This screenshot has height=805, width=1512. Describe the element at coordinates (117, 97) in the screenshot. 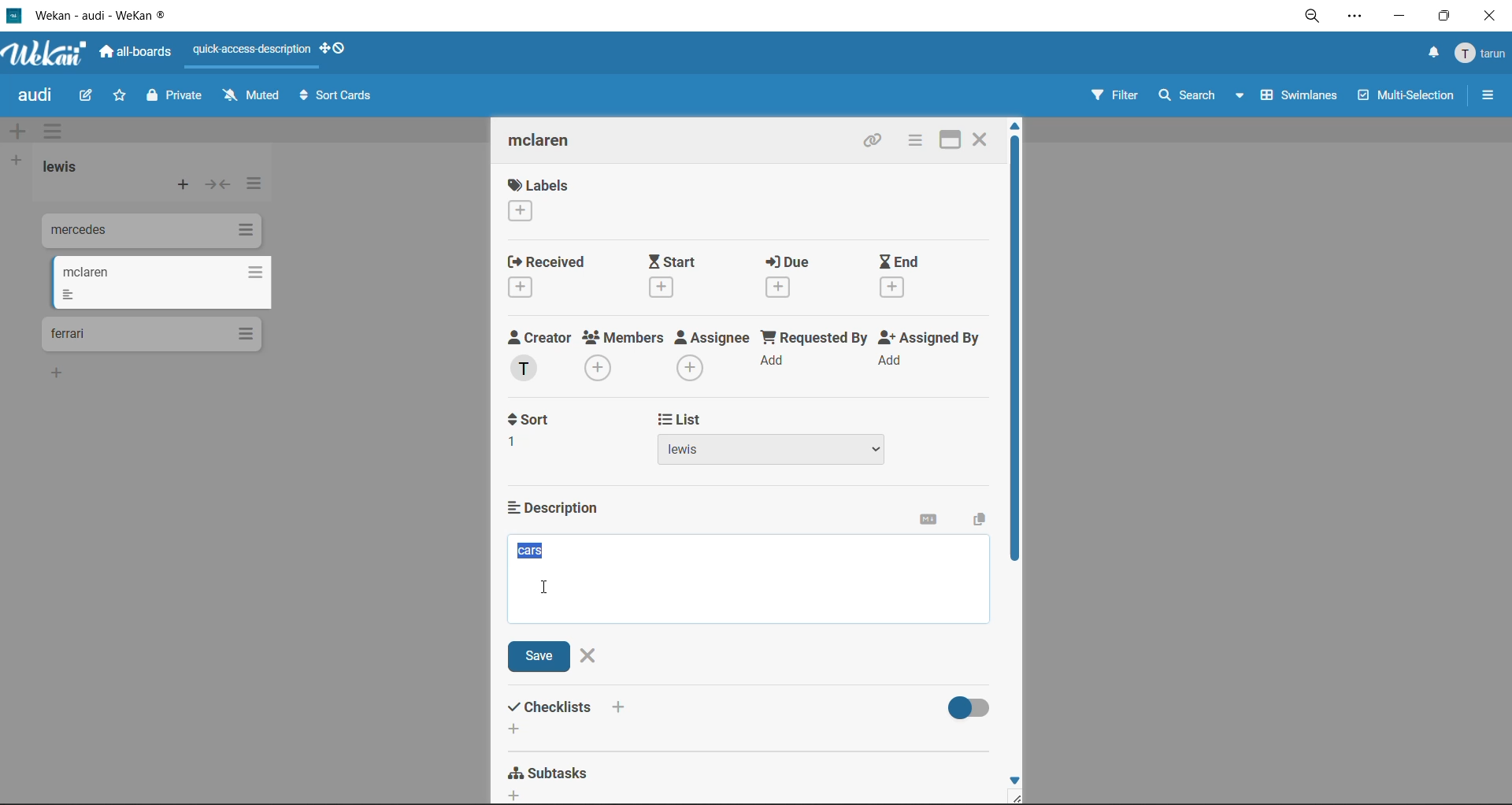

I see `star` at that location.